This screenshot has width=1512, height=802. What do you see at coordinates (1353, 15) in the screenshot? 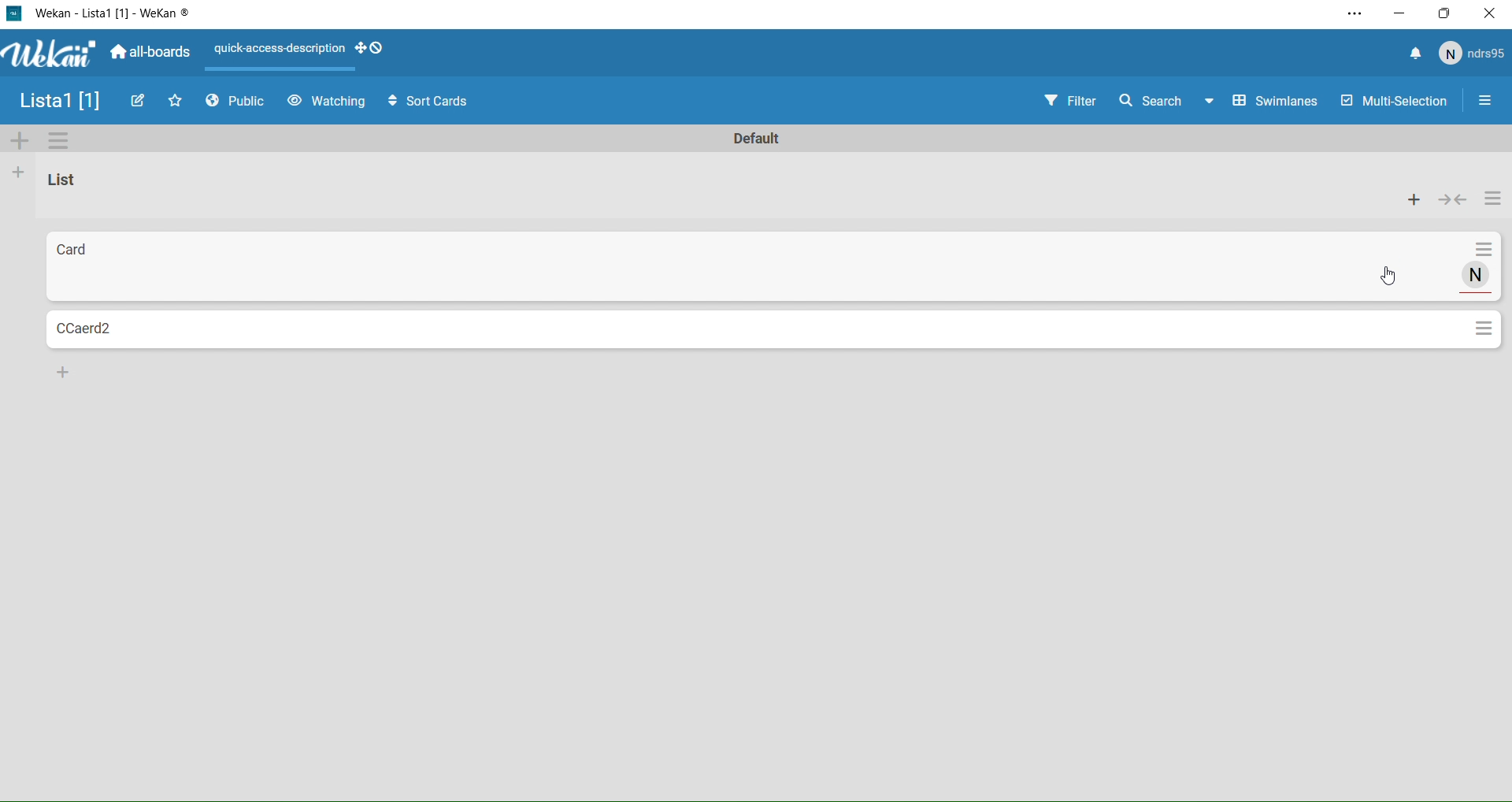
I see `Settings and more` at bounding box center [1353, 15].